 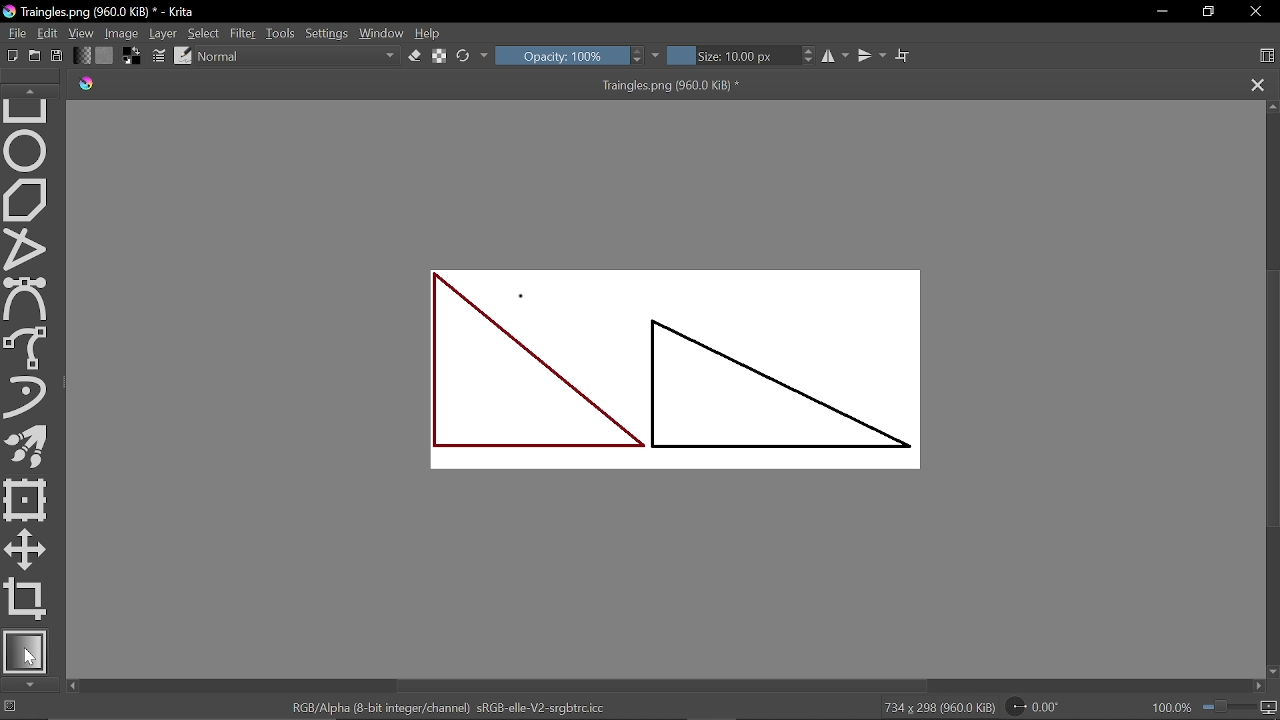 What do you see at coordinates (833, 58) in the screenshot?
I see `Horizontal mirror` at bounding box center [833, 58].